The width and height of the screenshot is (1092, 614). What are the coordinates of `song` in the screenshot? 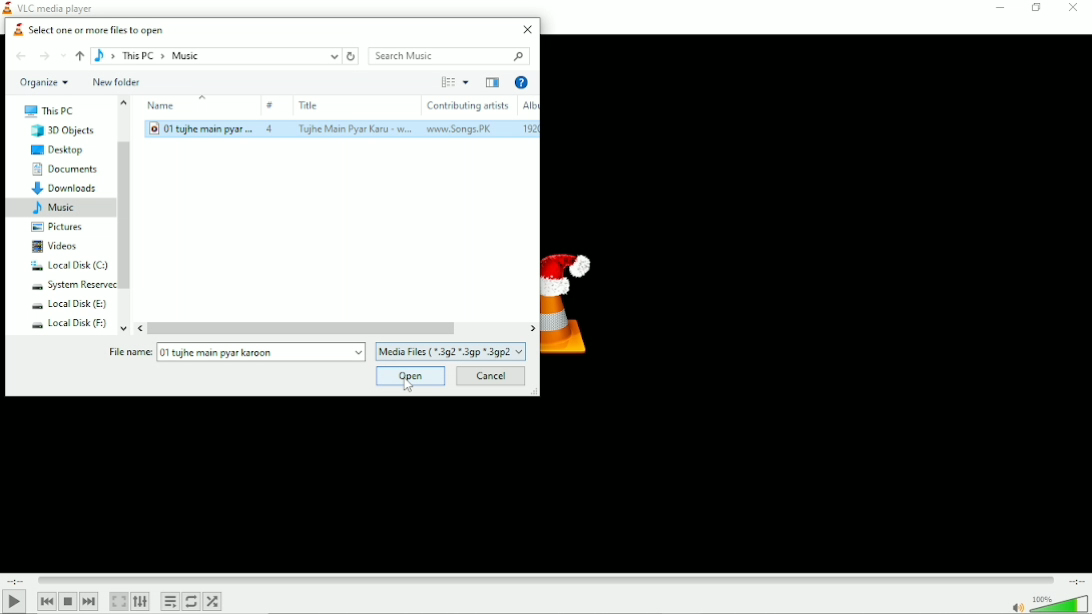 It's located at (341, 132).